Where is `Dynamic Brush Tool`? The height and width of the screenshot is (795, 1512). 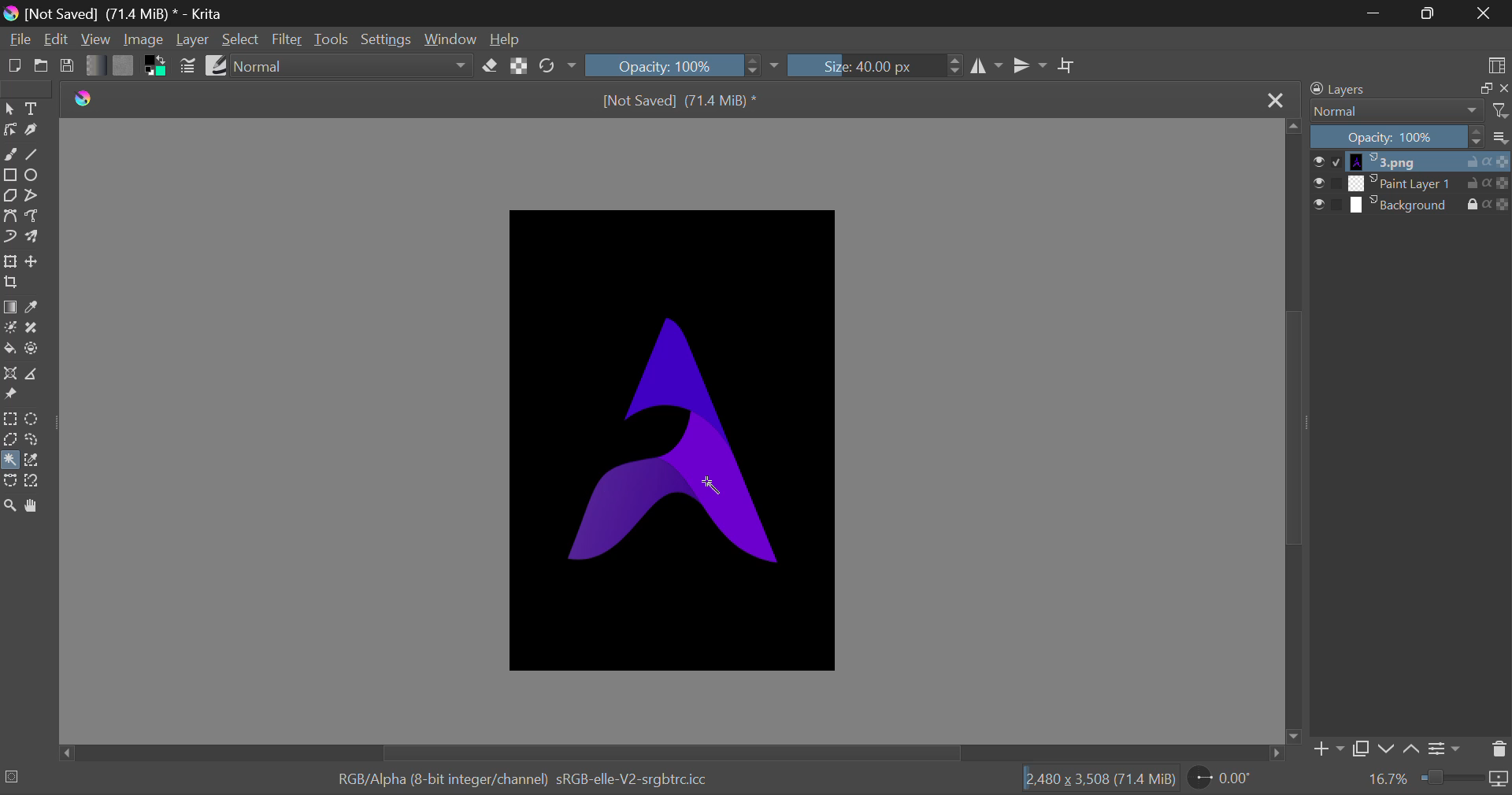
Dynamic Brush Tool is located at coordinates (11, 238).